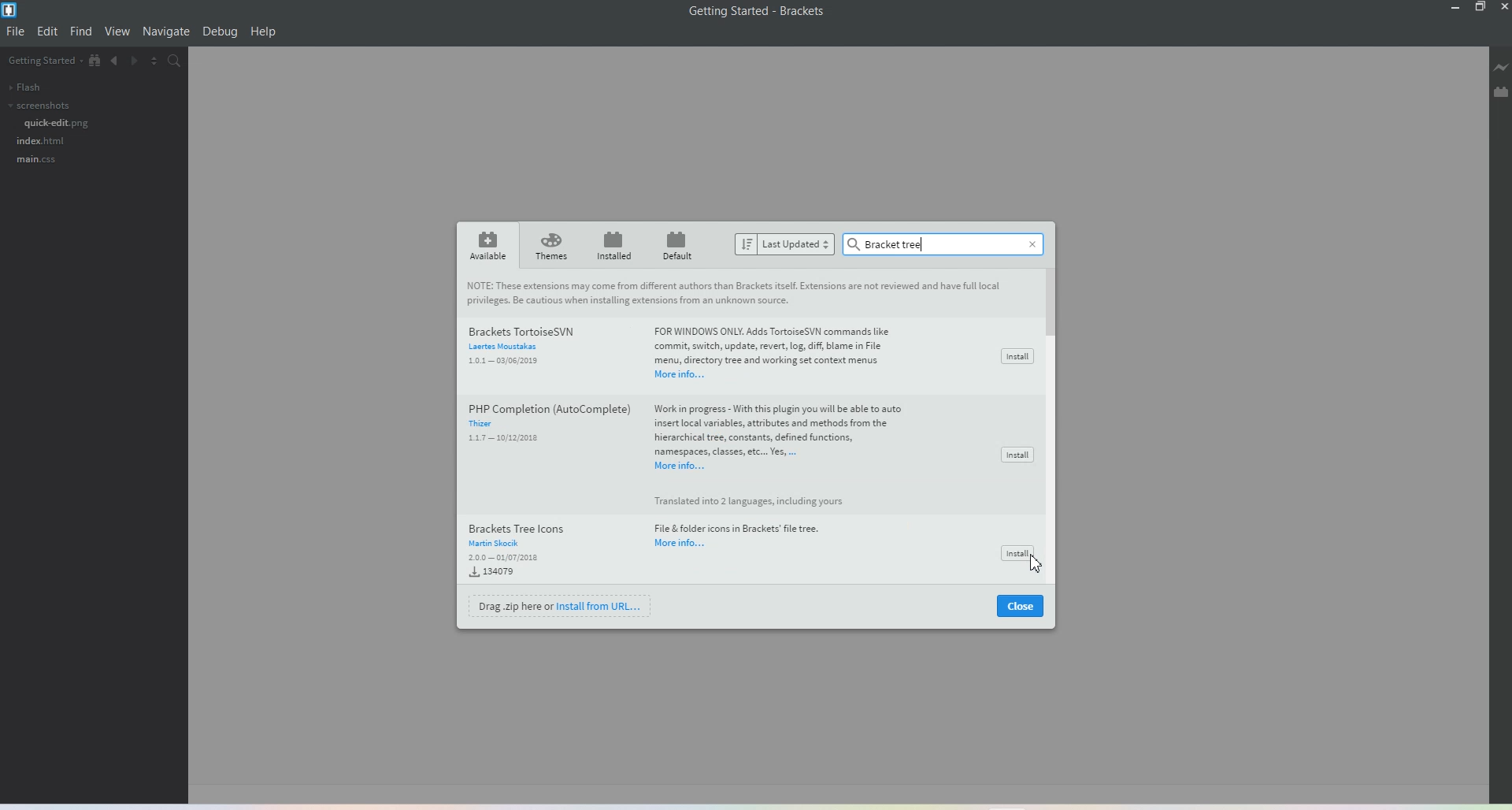 Image resolution: width=1512 pixels, height=810 pixels. What do you see at coordinates (1012, 551) in the screenshot?
I see `Install` at bounding box center [1012, 551].